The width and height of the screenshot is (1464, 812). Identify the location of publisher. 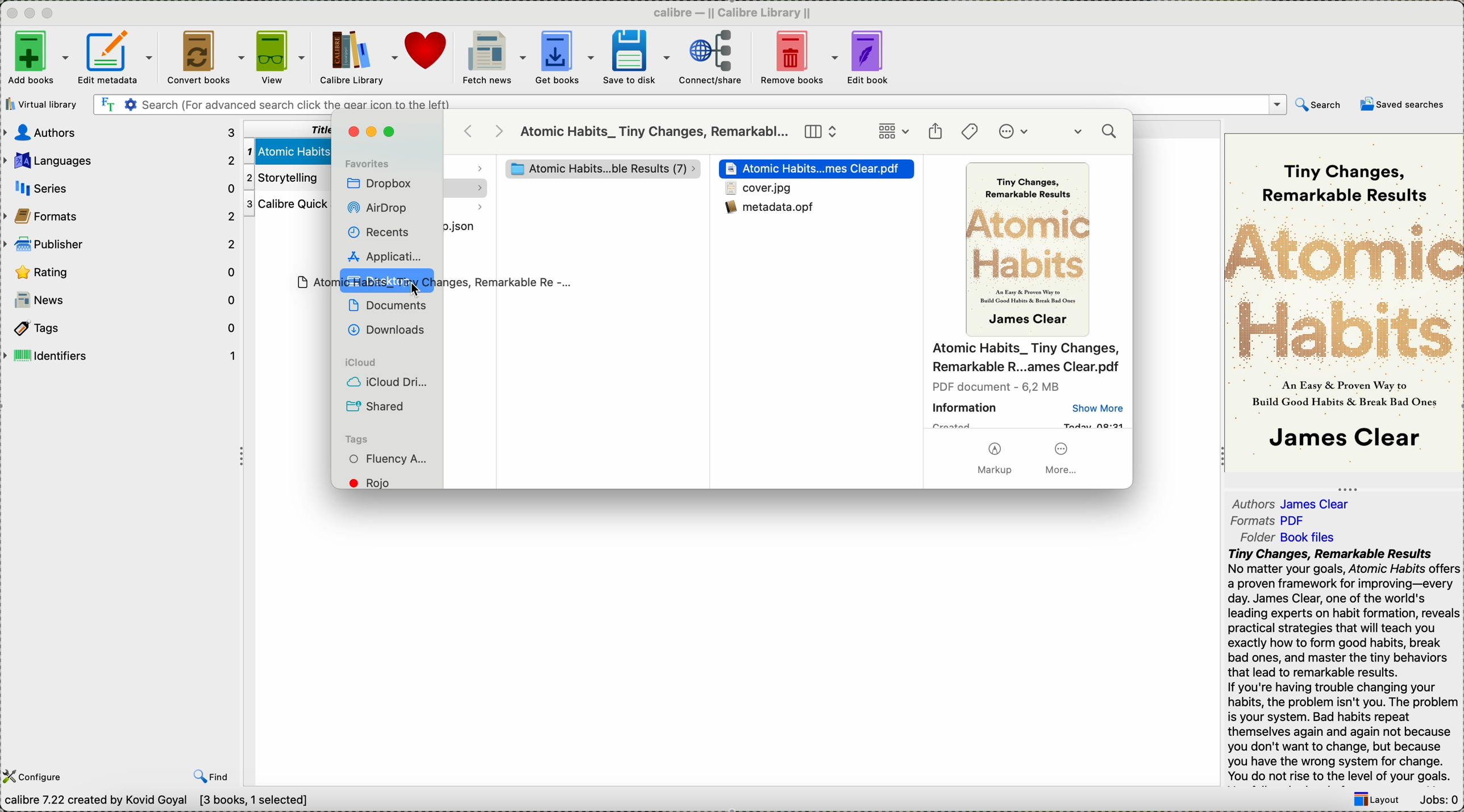
(121, 243).